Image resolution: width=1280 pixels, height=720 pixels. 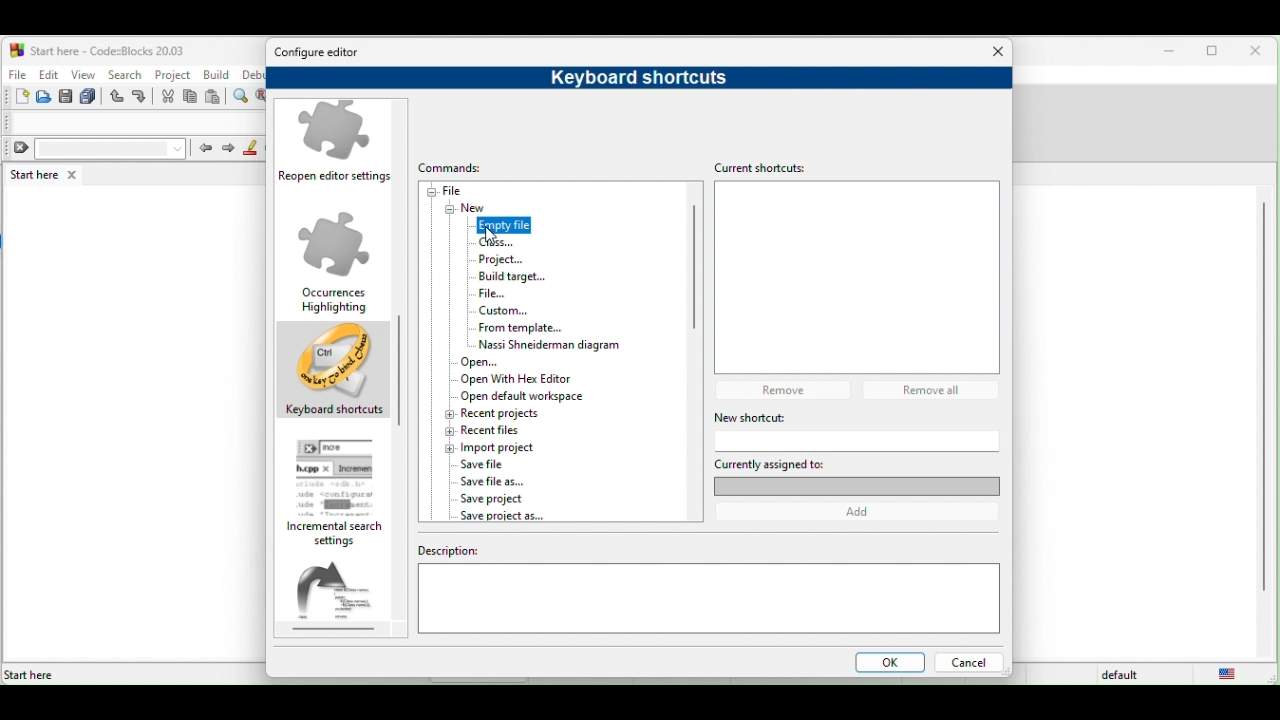 I want to click on recent file, so click(x=513, y=430).